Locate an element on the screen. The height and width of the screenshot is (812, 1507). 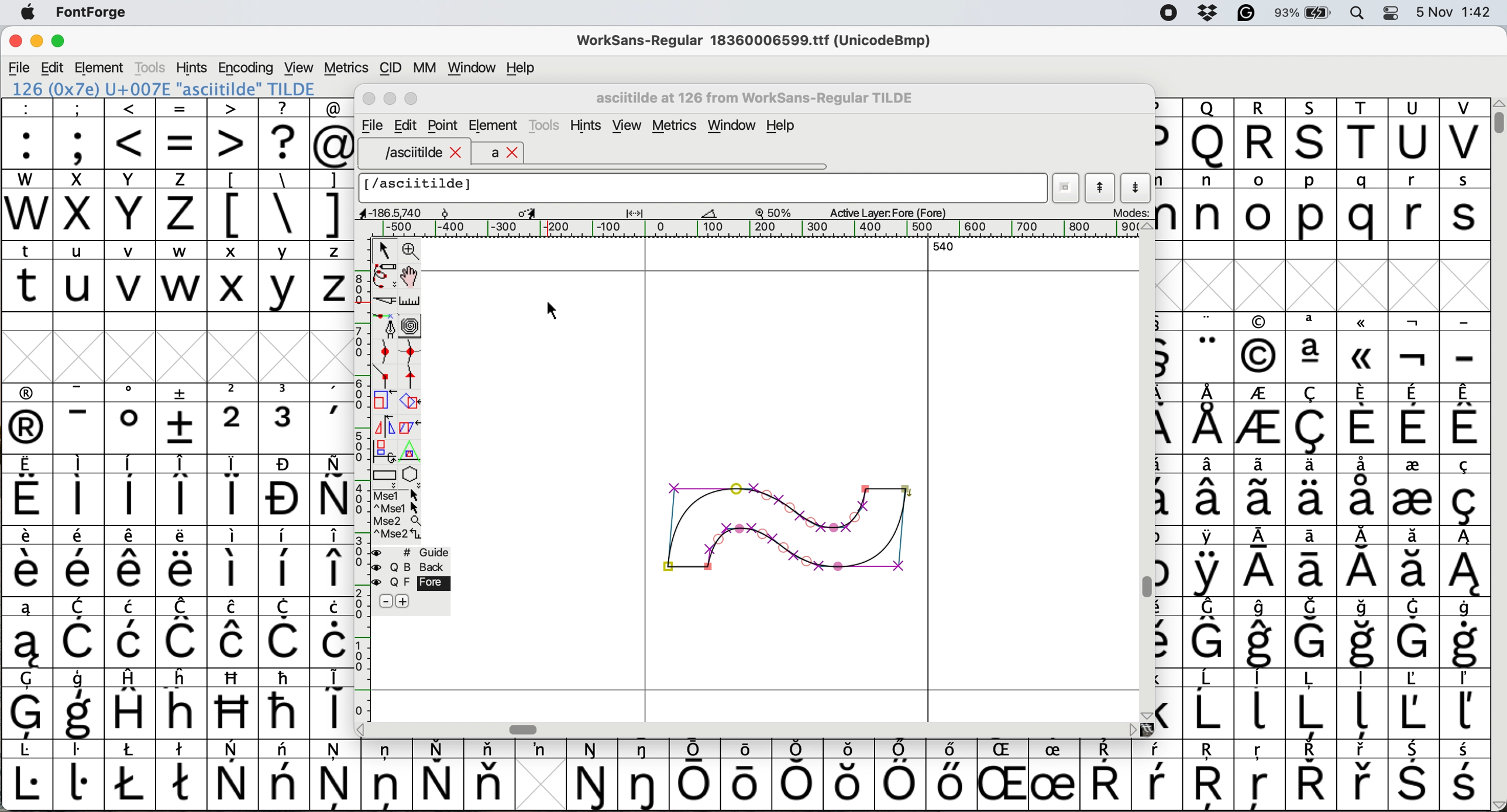
tilde glyph is located at coordinates (789, 521).